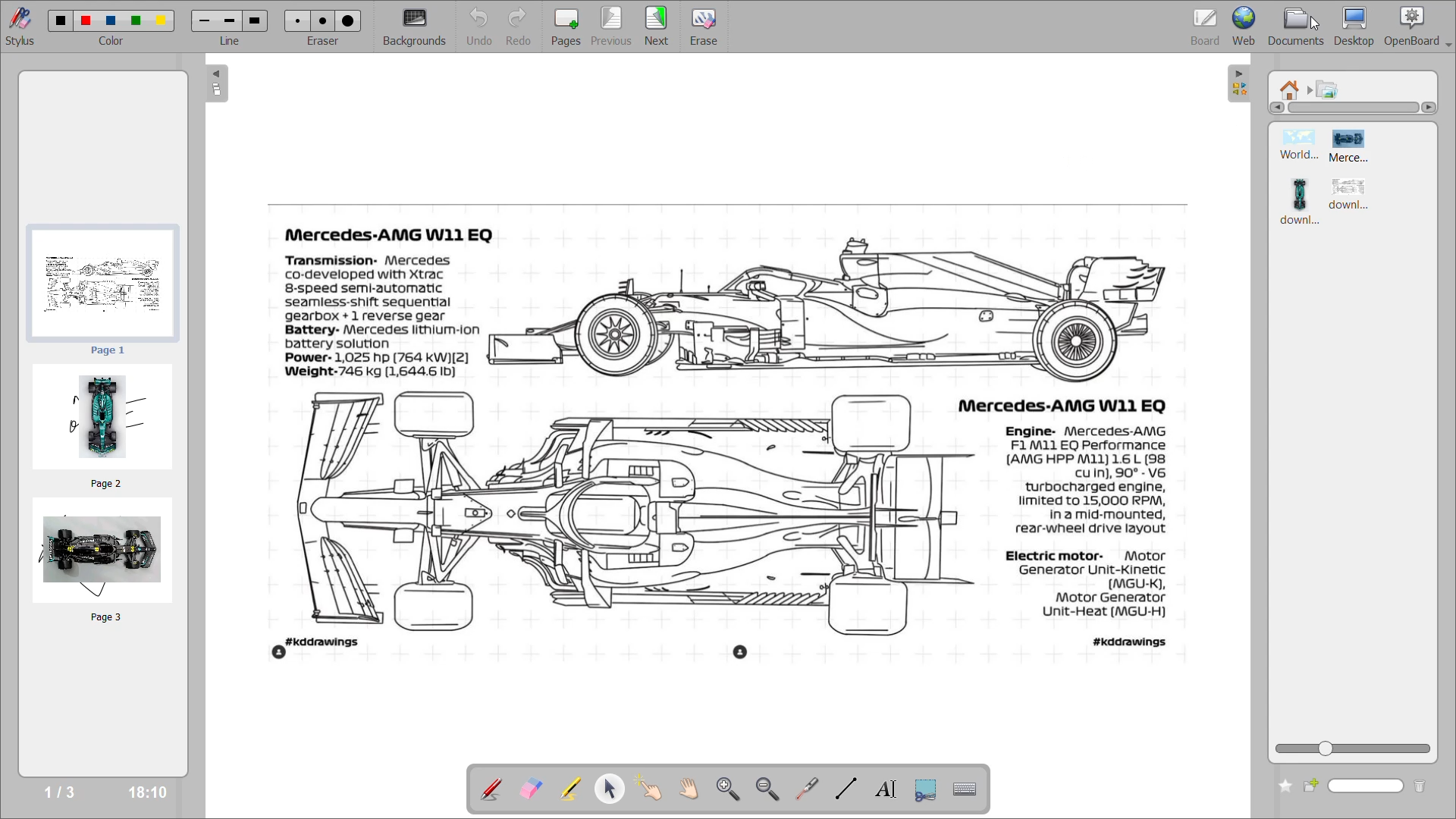  Describe the element at coordinates (136, 20) in the screenshot. I see `color 4` at that location.